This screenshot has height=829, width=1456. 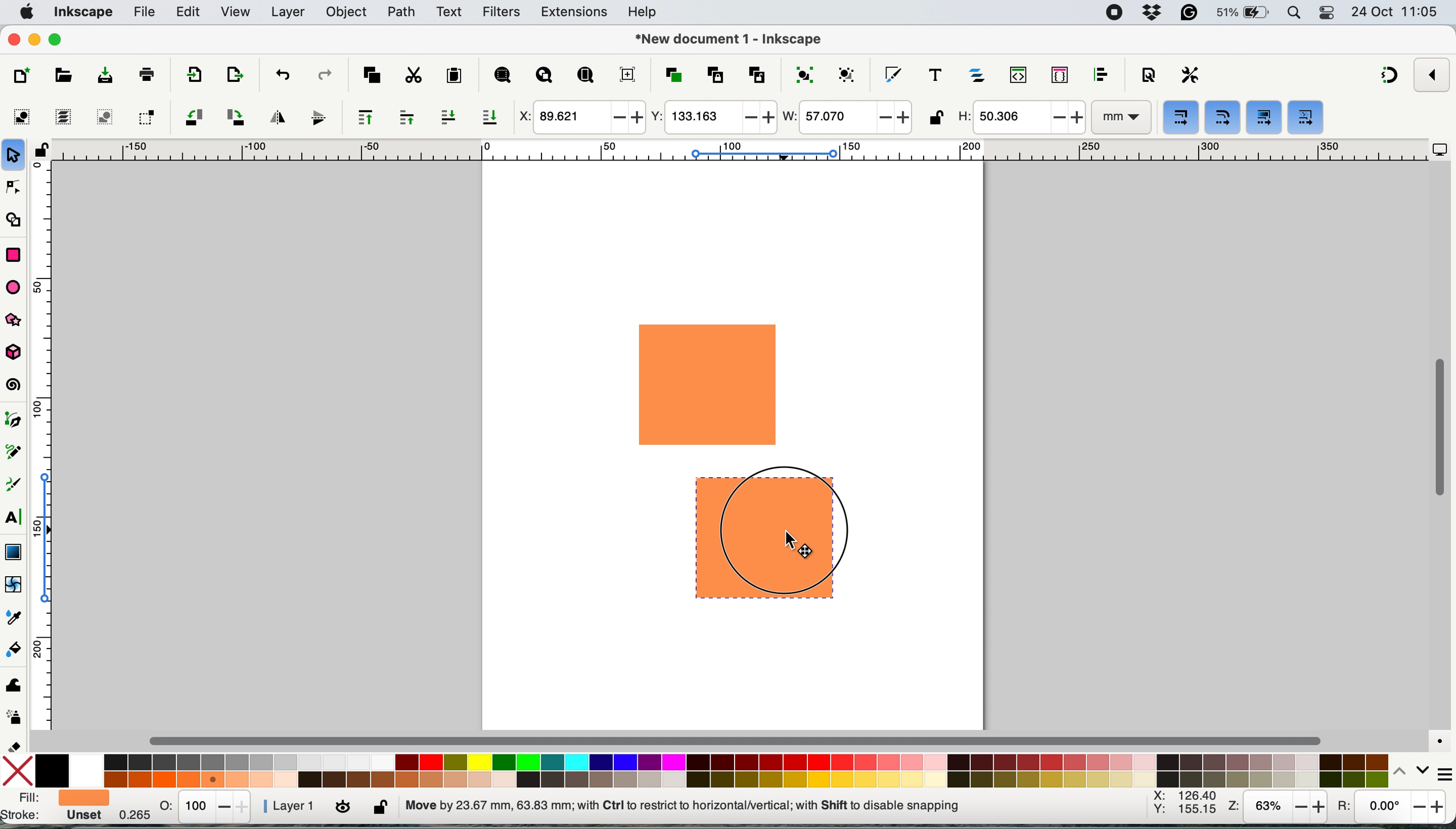 I want to click on text, so click(x=450, y=12).